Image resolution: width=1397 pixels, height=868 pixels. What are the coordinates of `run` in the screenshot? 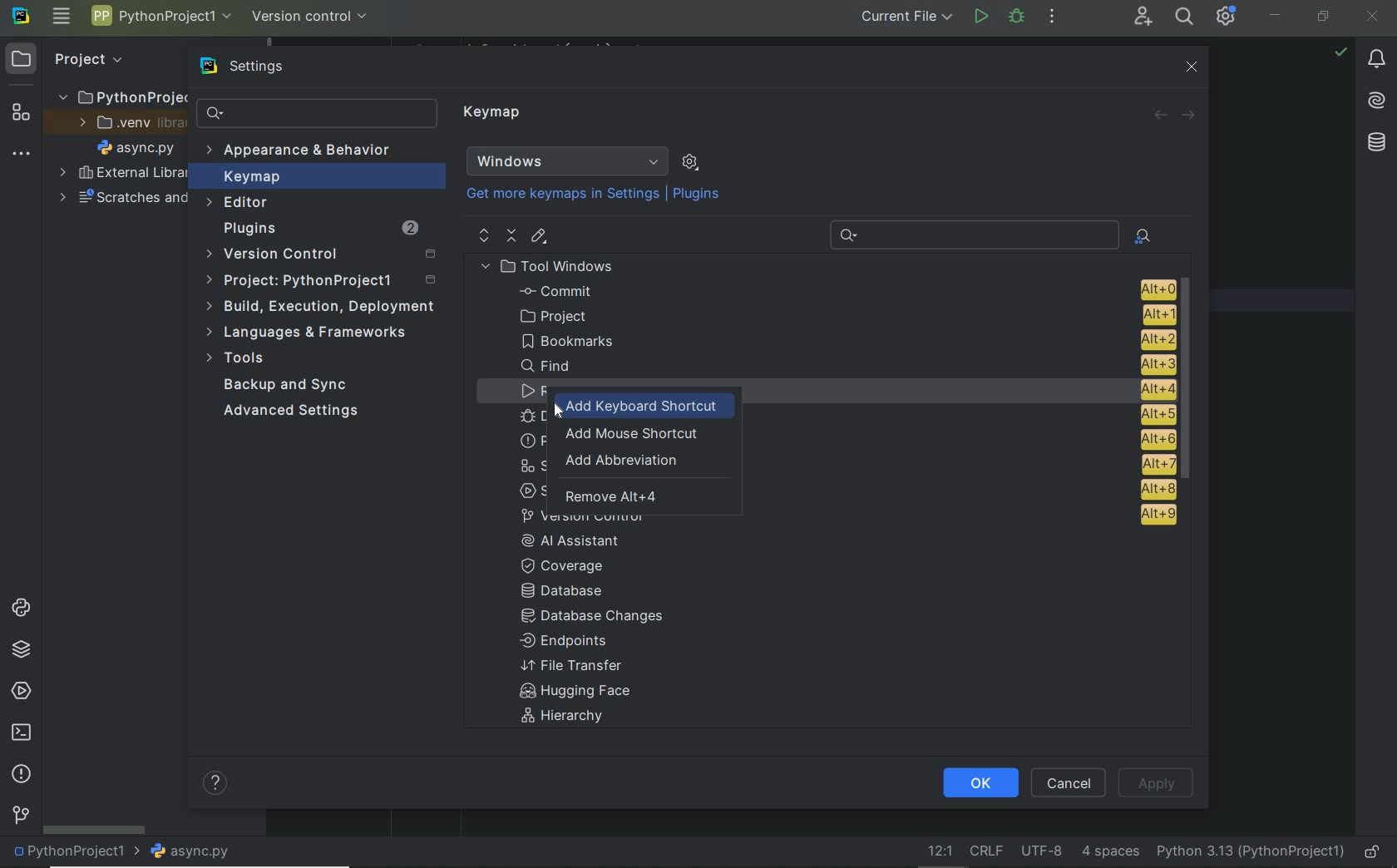 It's located at (980, 18).